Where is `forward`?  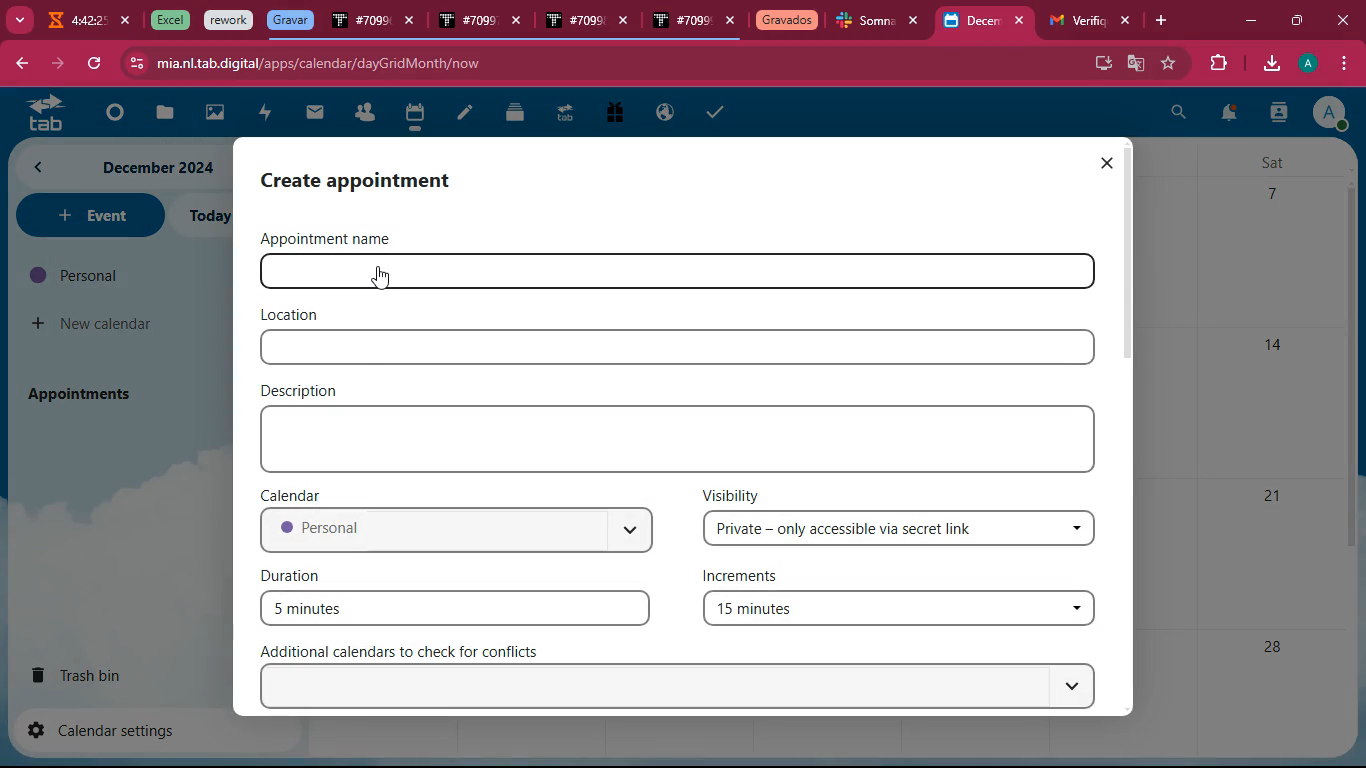 forward is located at coordinates (55, 64).